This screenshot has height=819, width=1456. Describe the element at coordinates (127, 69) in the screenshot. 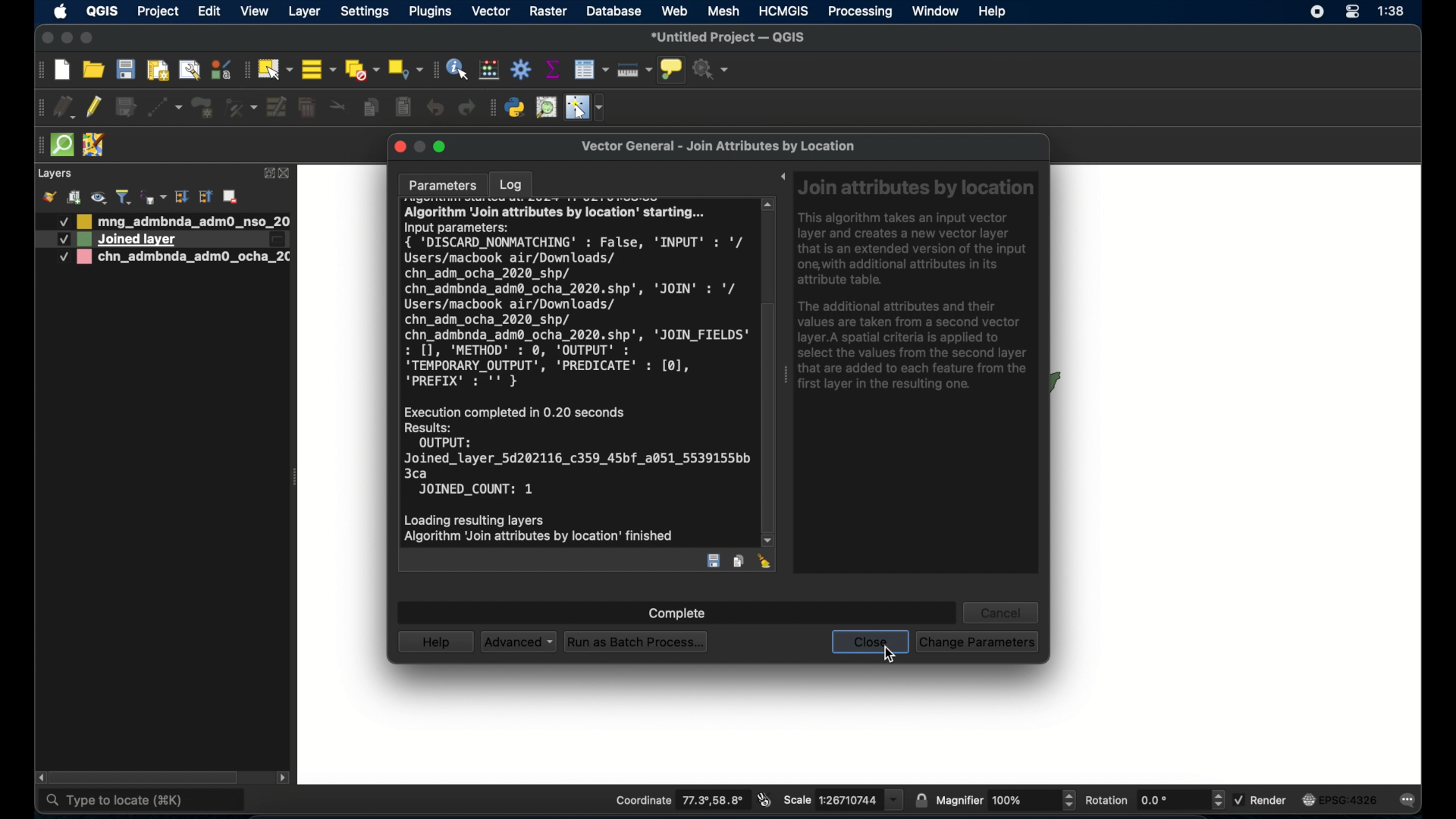

I see `save project` at that location.